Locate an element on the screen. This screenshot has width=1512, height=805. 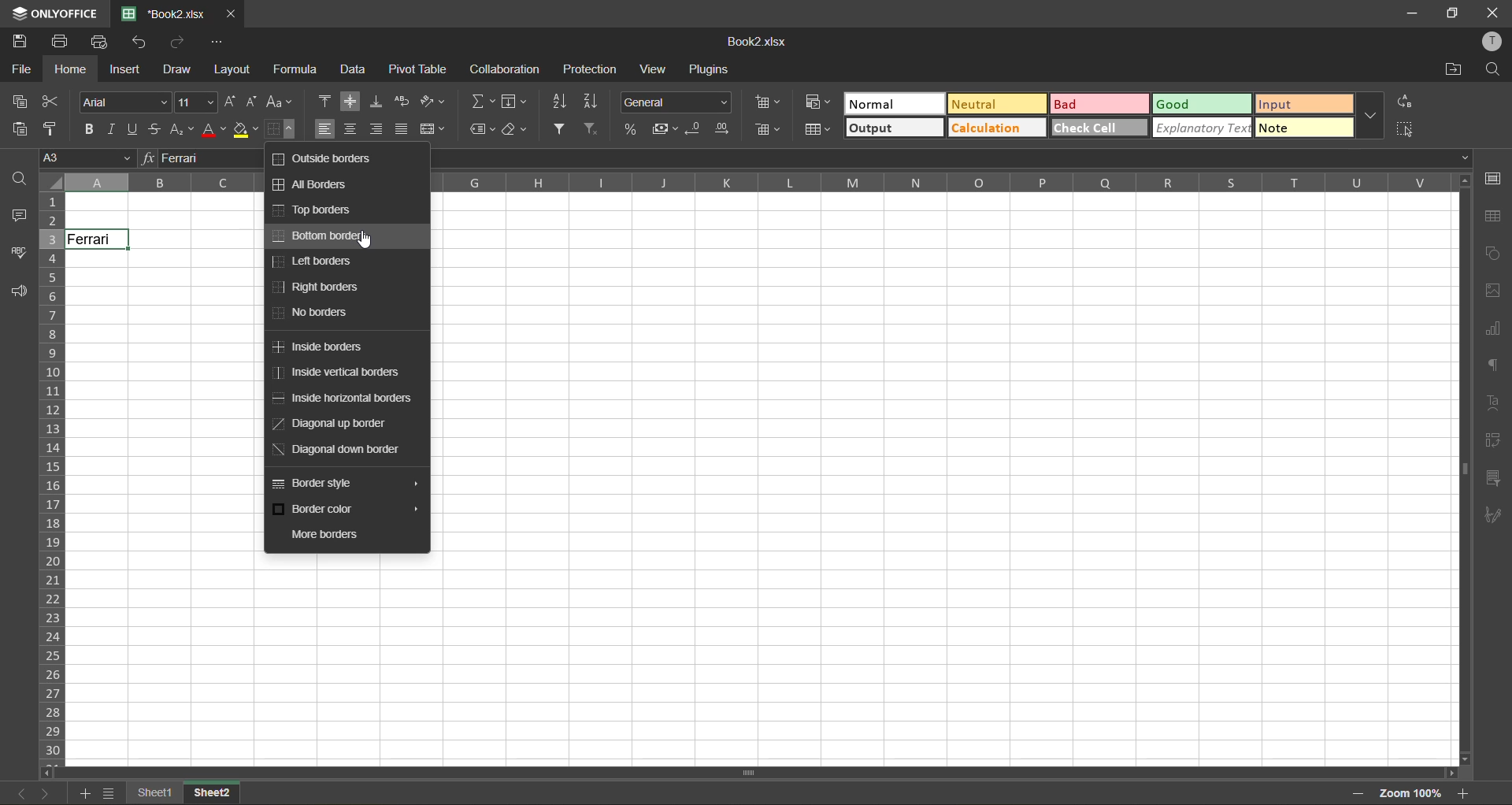
border color is located at coordinates (347, 510).